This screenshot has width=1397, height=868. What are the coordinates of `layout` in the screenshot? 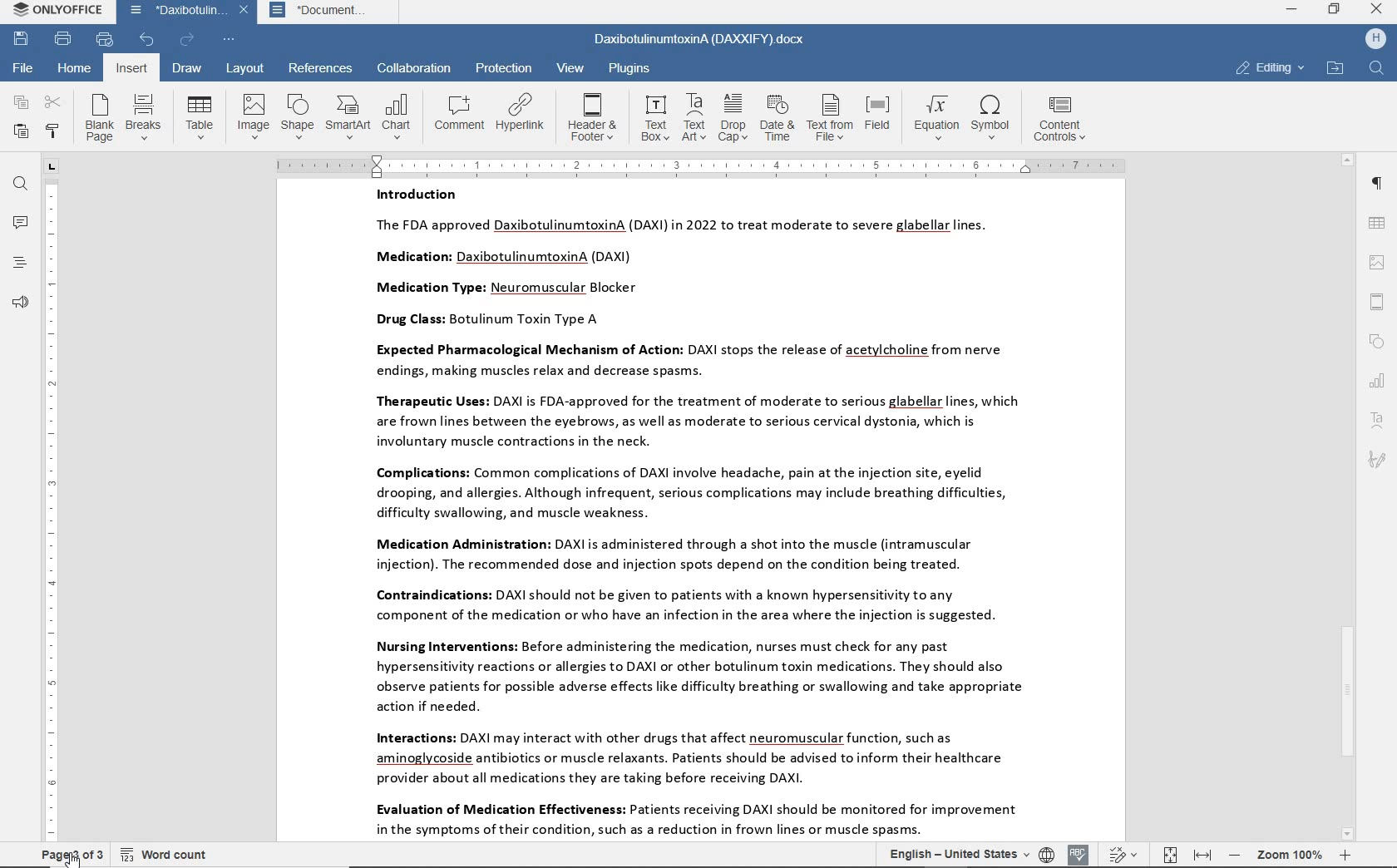 It's located at (244, 70).